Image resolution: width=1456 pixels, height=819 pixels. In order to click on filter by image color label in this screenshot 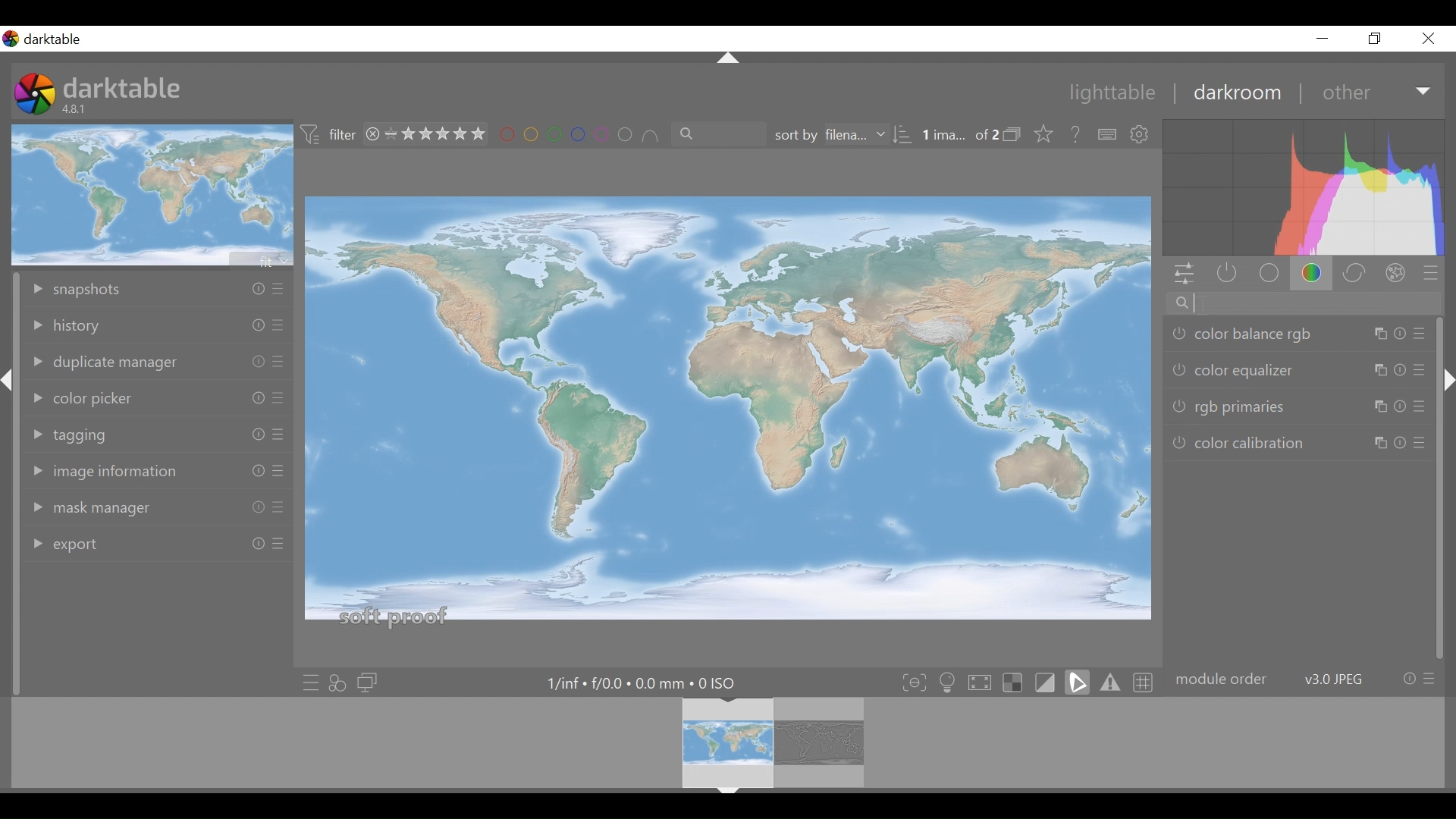, I will do `click(579, 132)`.